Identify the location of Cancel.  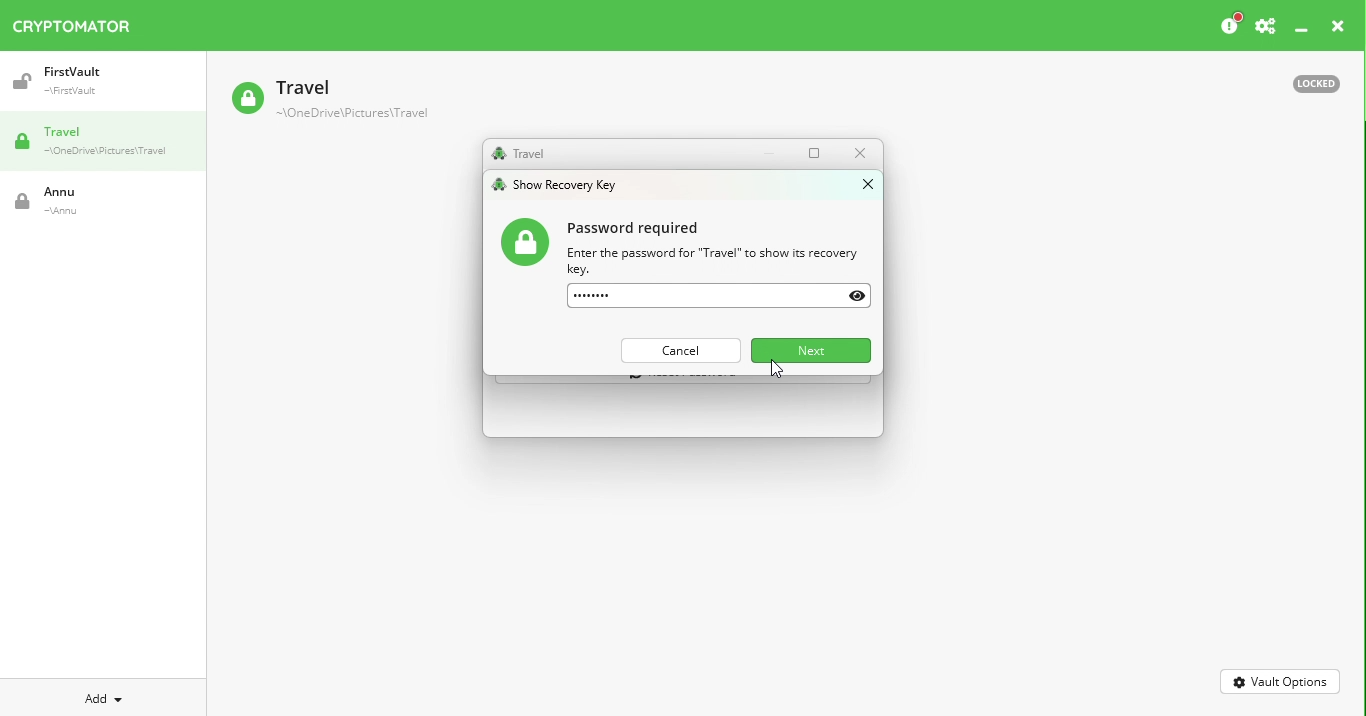
(683, 350).